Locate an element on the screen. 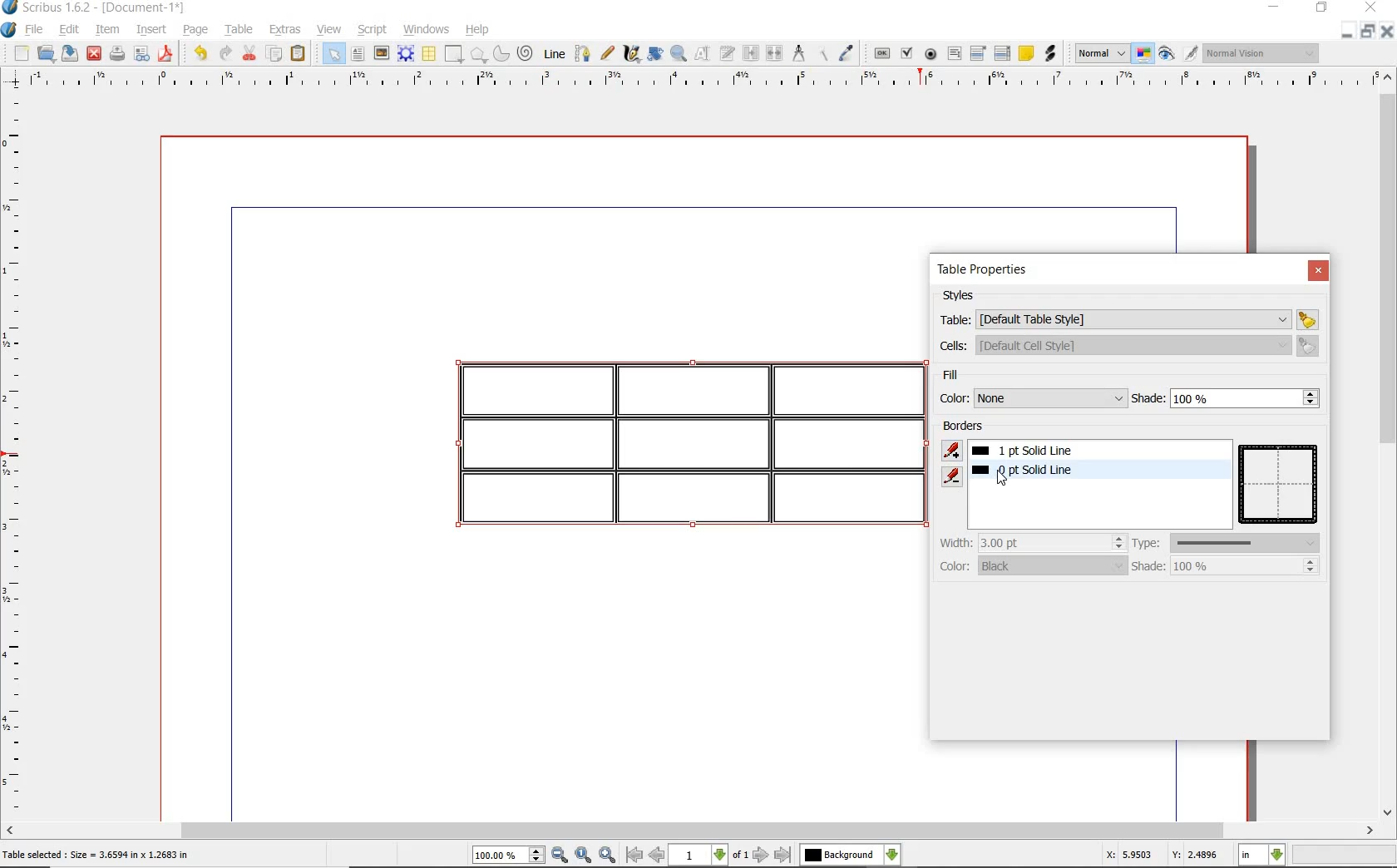 The height and width of the screenshot is (868, 1397). shade is located at coordinates (1227, 398).